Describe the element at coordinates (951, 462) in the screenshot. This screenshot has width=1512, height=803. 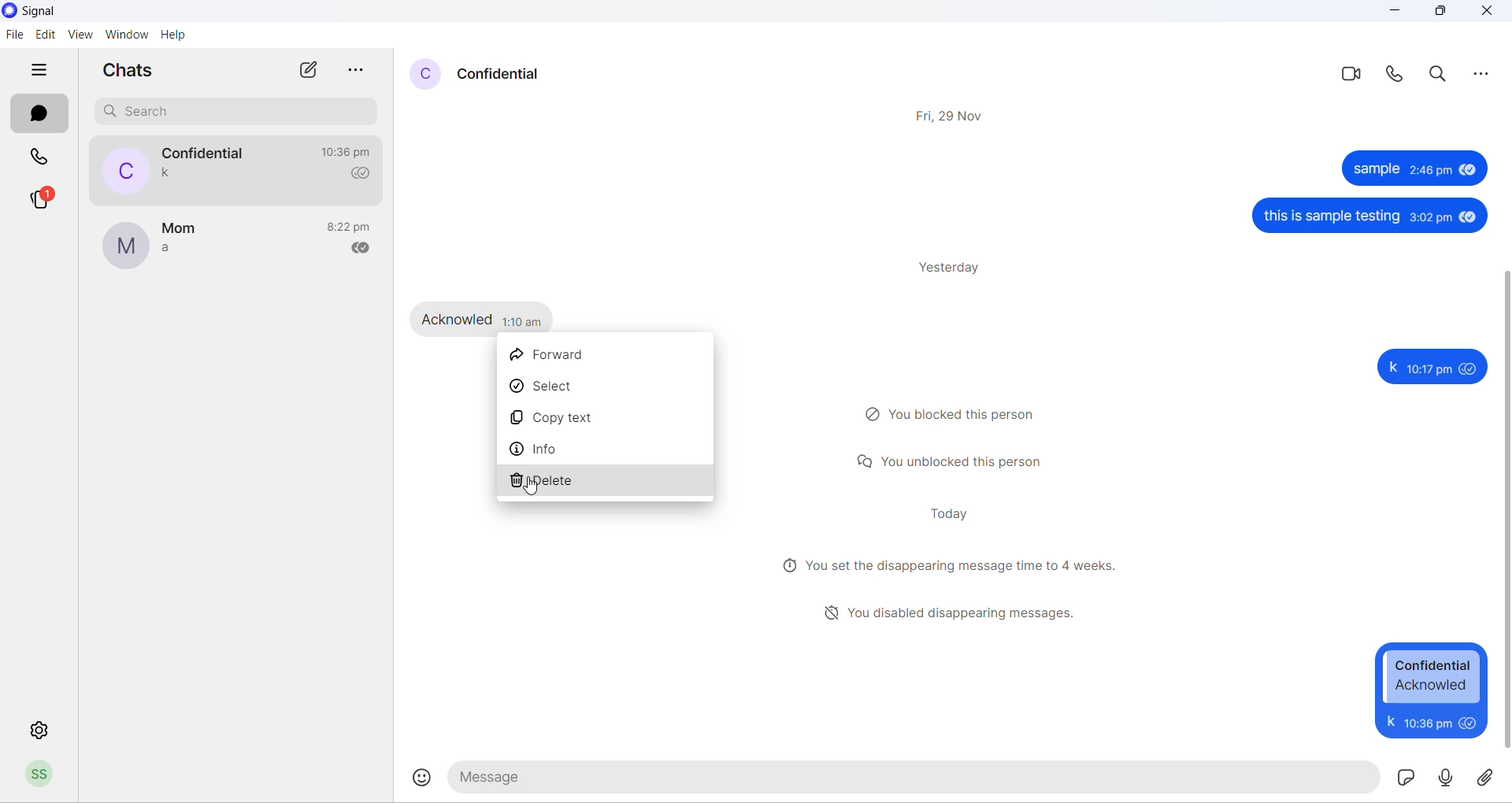
I see `unblocked contact message` at that location.